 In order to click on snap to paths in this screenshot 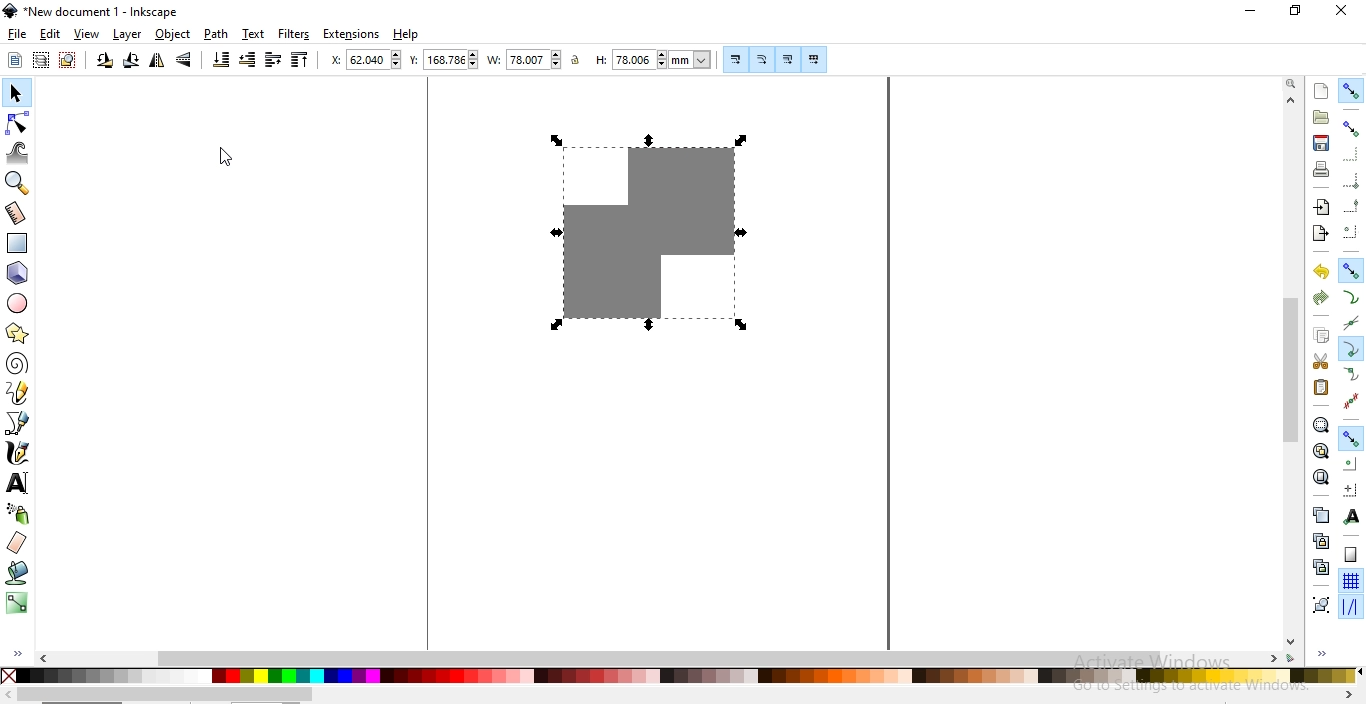, I will do `click(1351, 298)`.